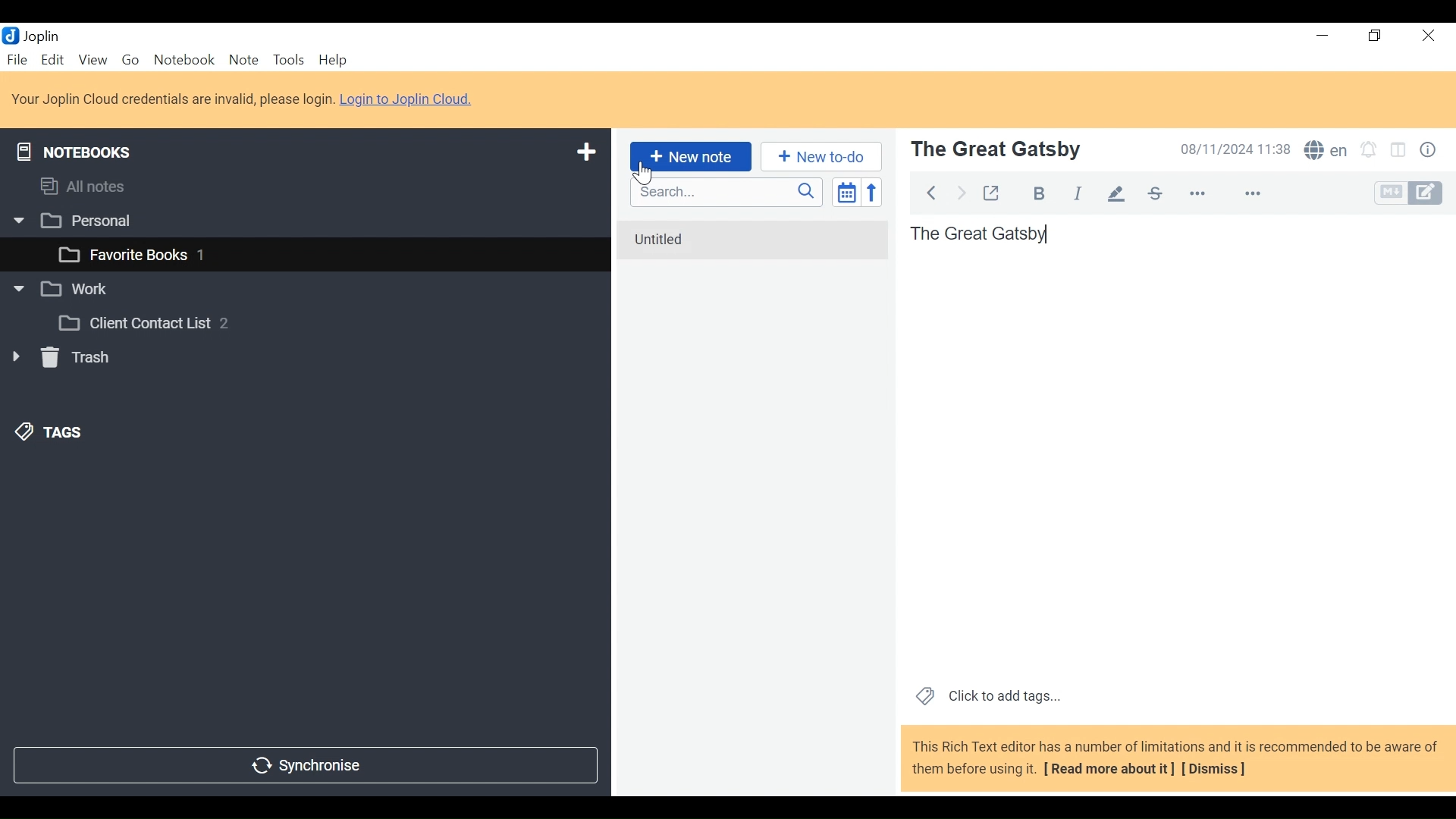 The image size is (1456, 819). Describe the element at coordinates (84, 187) in the screenshot. I see `All notes` at that location.